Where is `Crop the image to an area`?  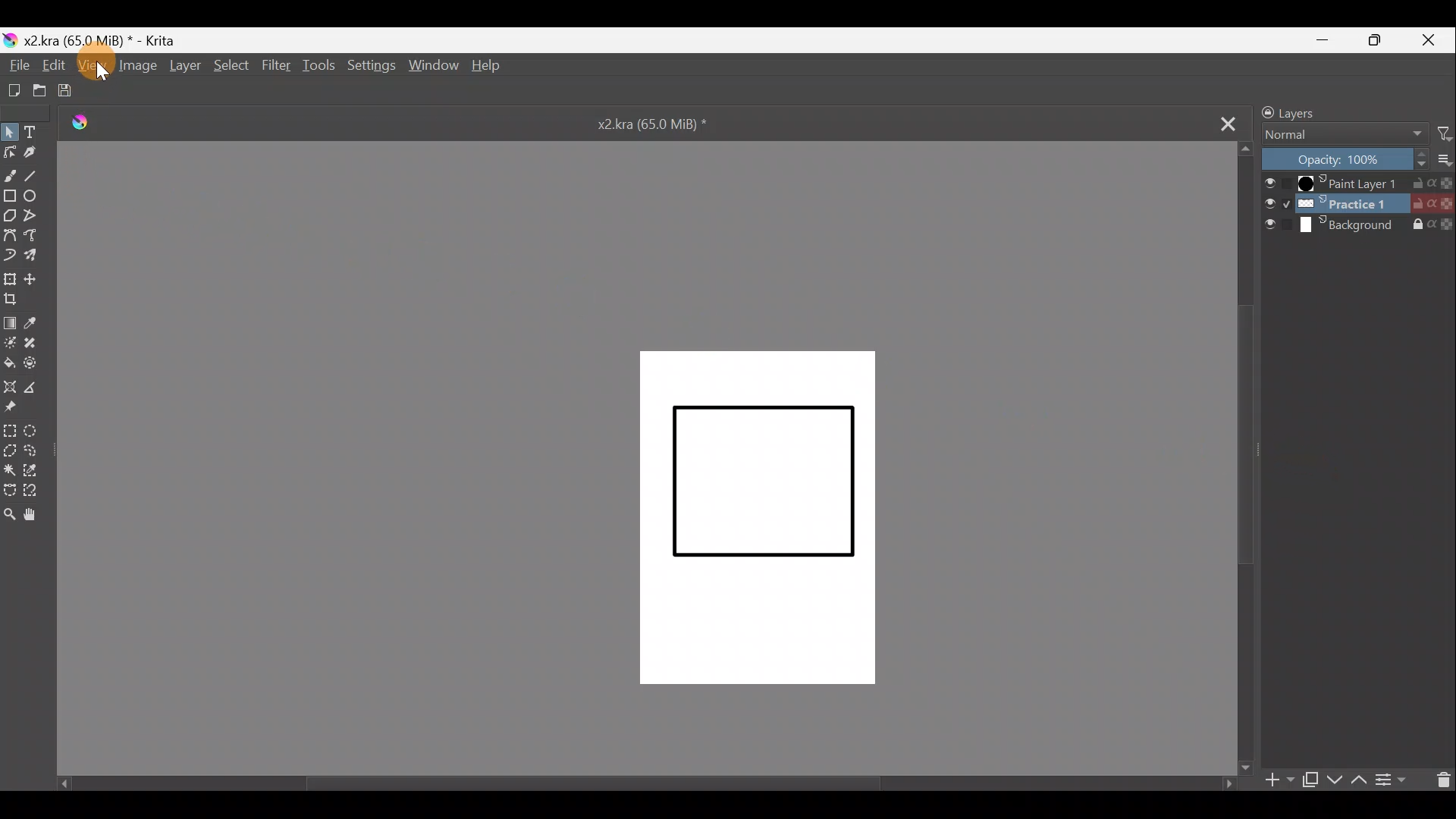
Crop the image to an area is located at coordinates (17, 303).